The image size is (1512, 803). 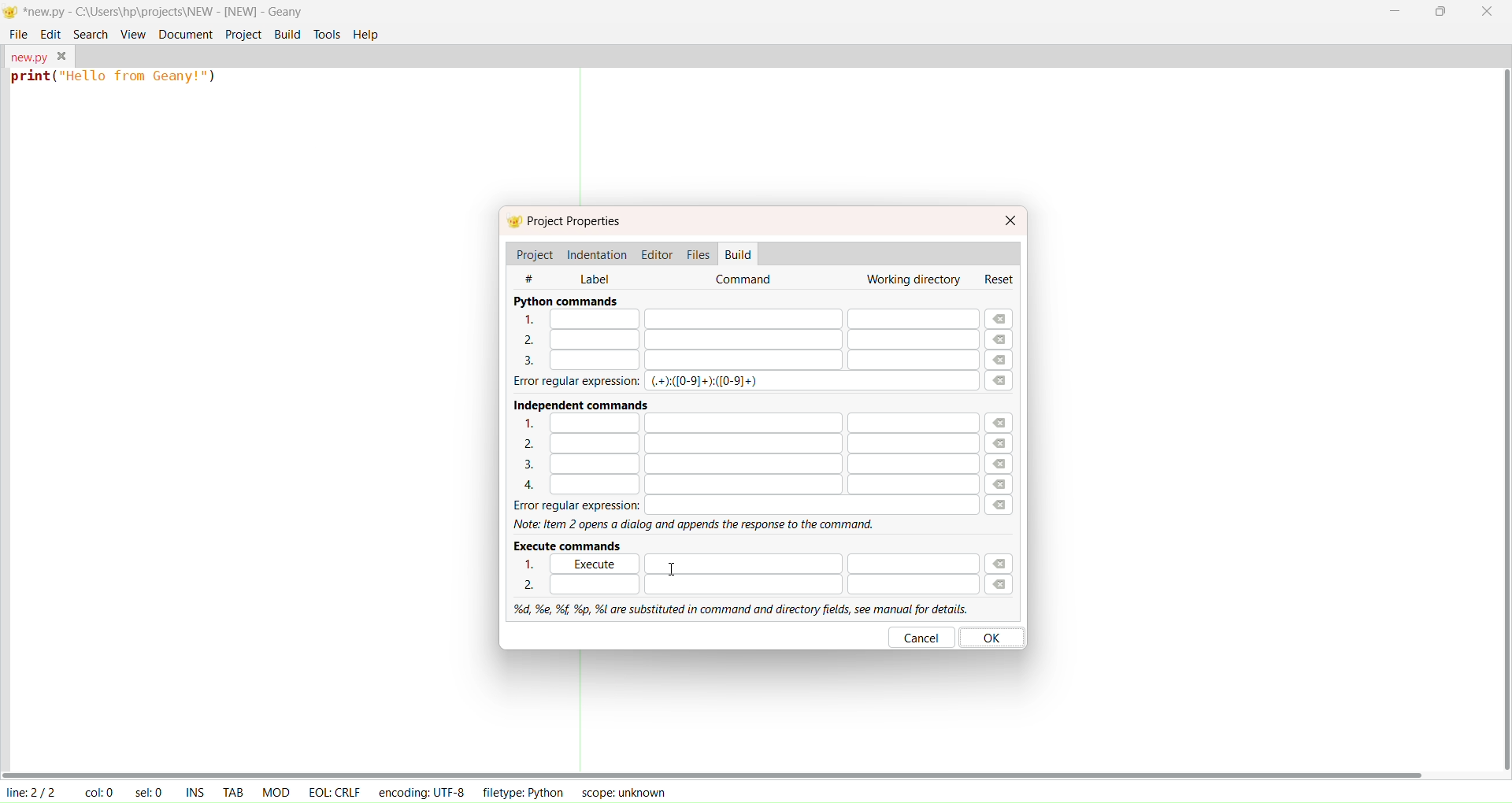 I want to click on minimize, so click(x=1394, y=10).